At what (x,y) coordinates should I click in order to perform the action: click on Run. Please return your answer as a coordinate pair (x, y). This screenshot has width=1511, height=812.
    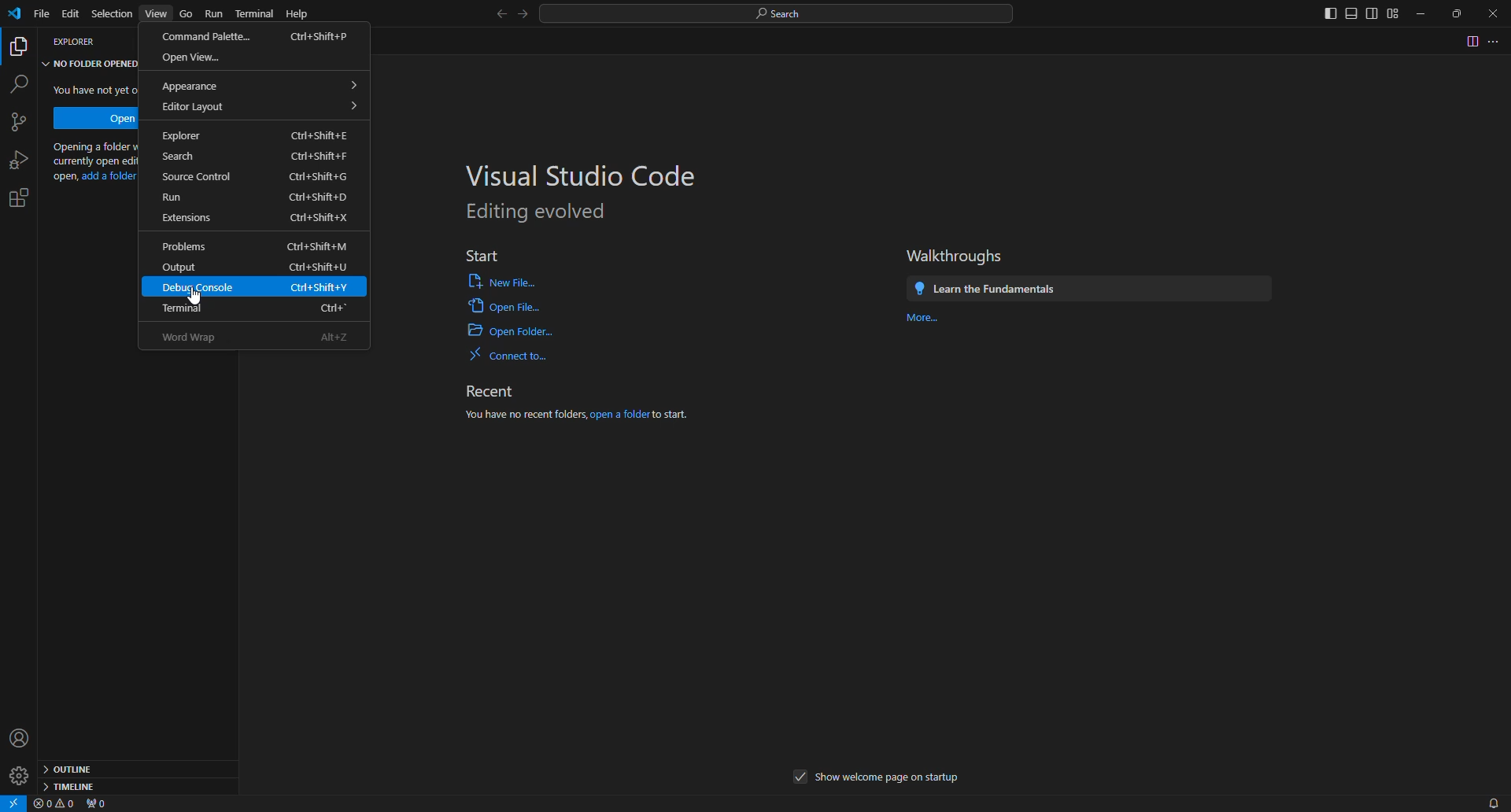
    Looking at the image, I should click on (257, 195).